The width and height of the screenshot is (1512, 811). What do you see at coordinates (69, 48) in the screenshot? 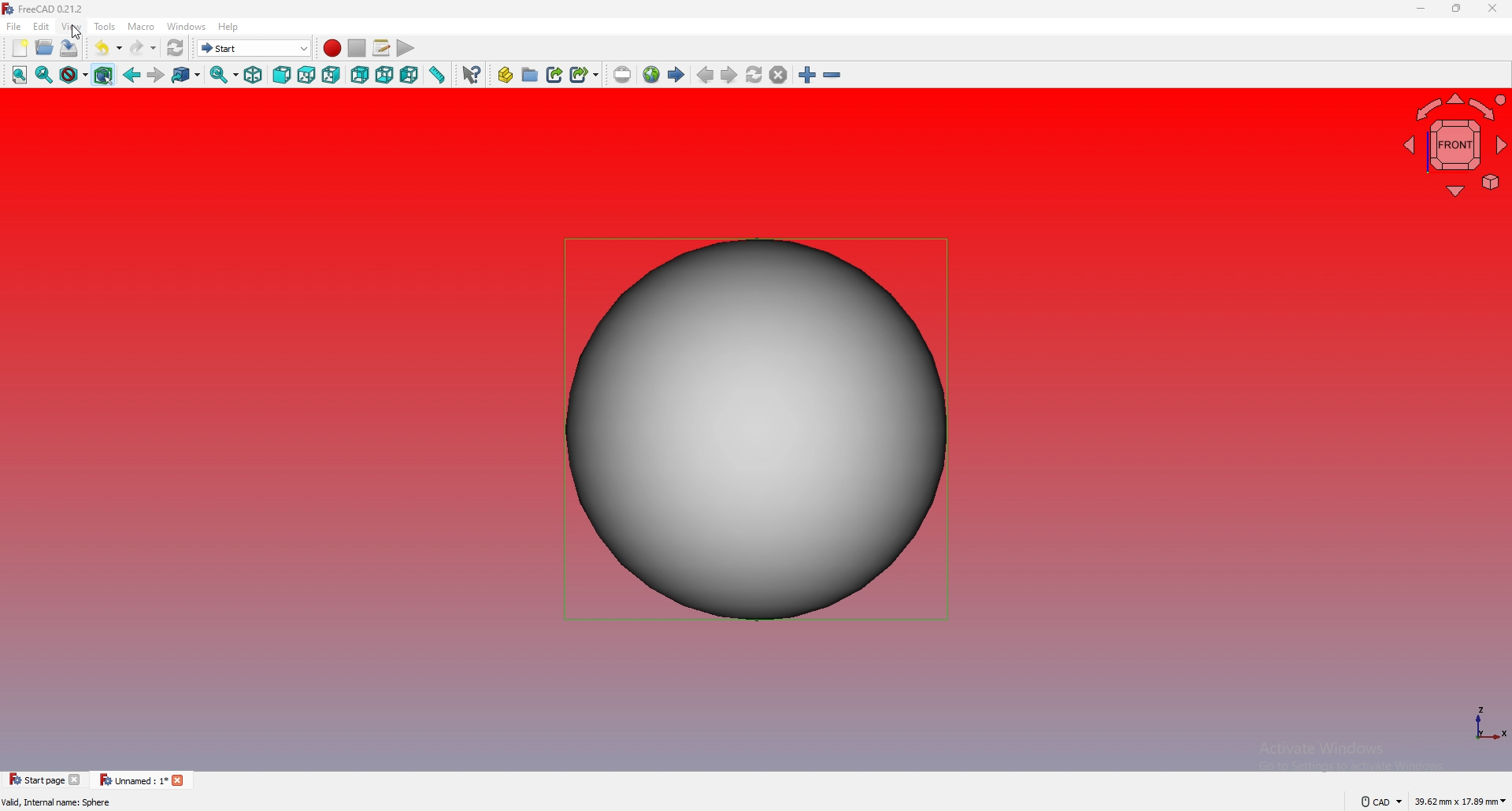
I see `save` at bounding box center [69, 48].